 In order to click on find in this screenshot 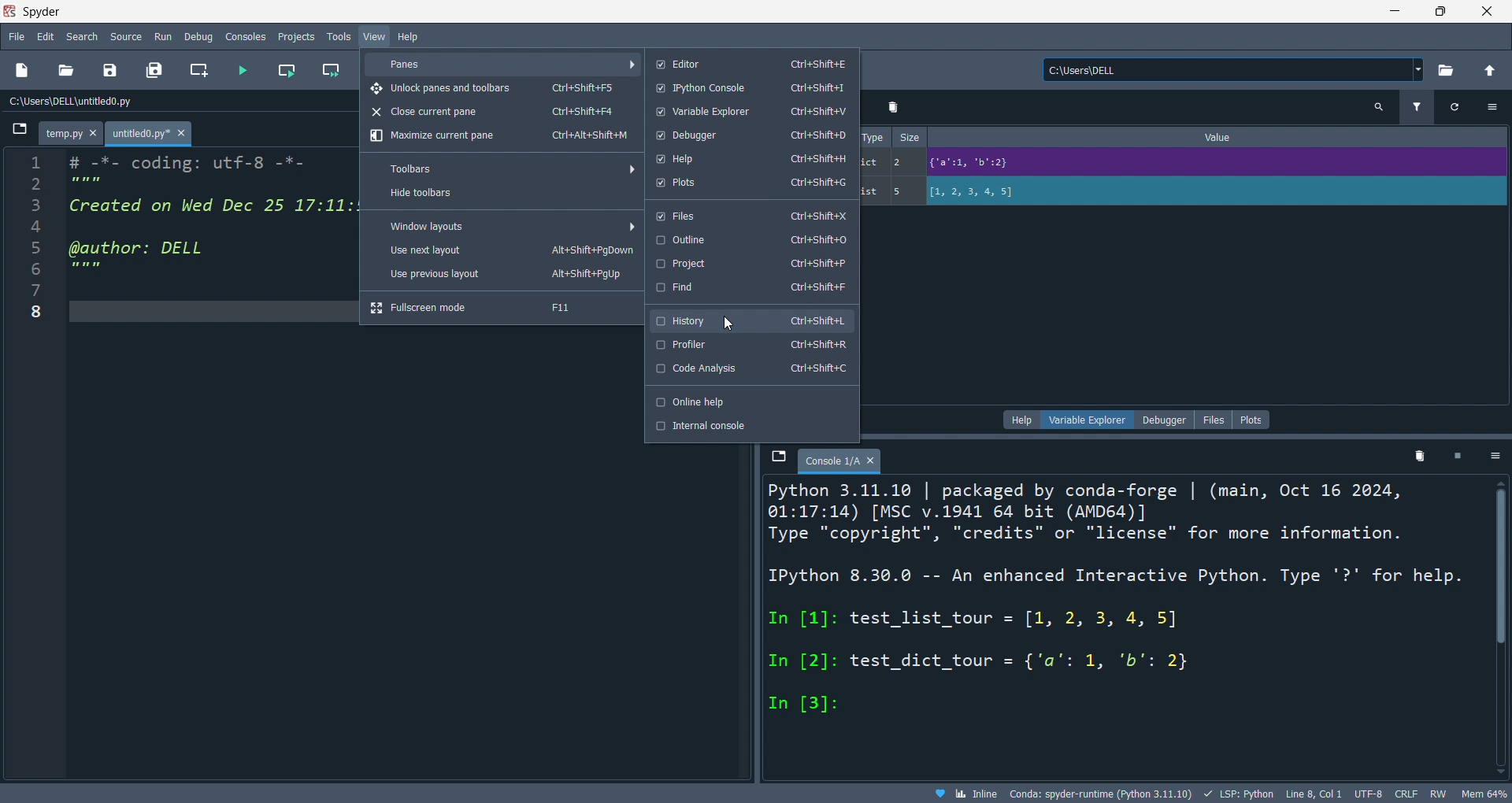, I will do `click(750, 288)`.